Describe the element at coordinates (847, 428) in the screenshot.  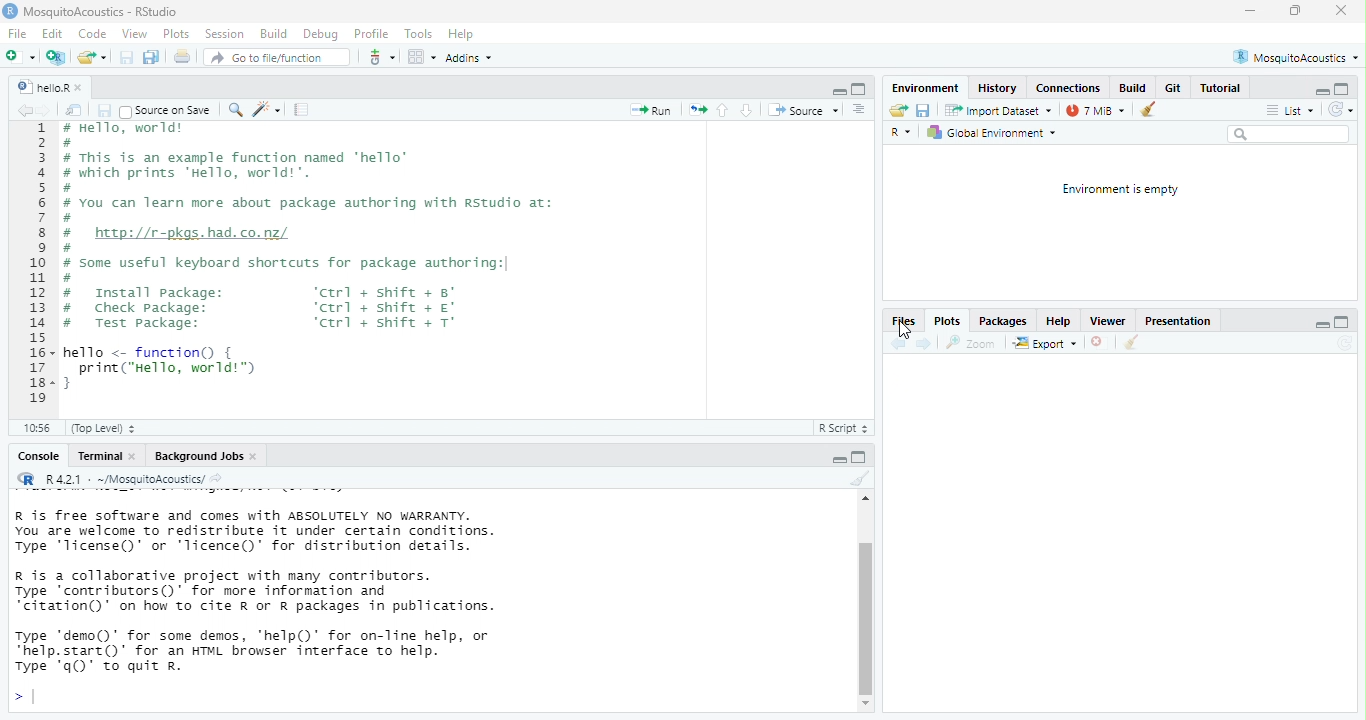
I see `R Script ` at that location.